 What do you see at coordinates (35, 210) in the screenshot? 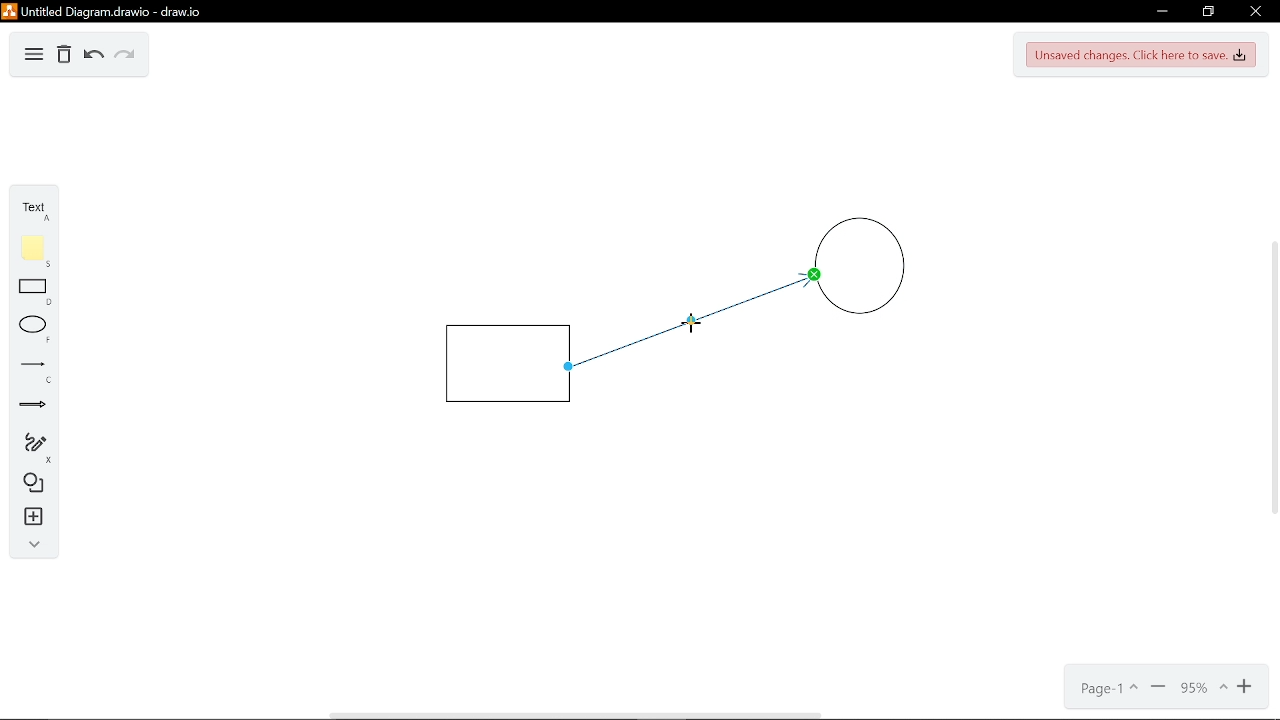
I see `Text` at bounding box center [35, 210].